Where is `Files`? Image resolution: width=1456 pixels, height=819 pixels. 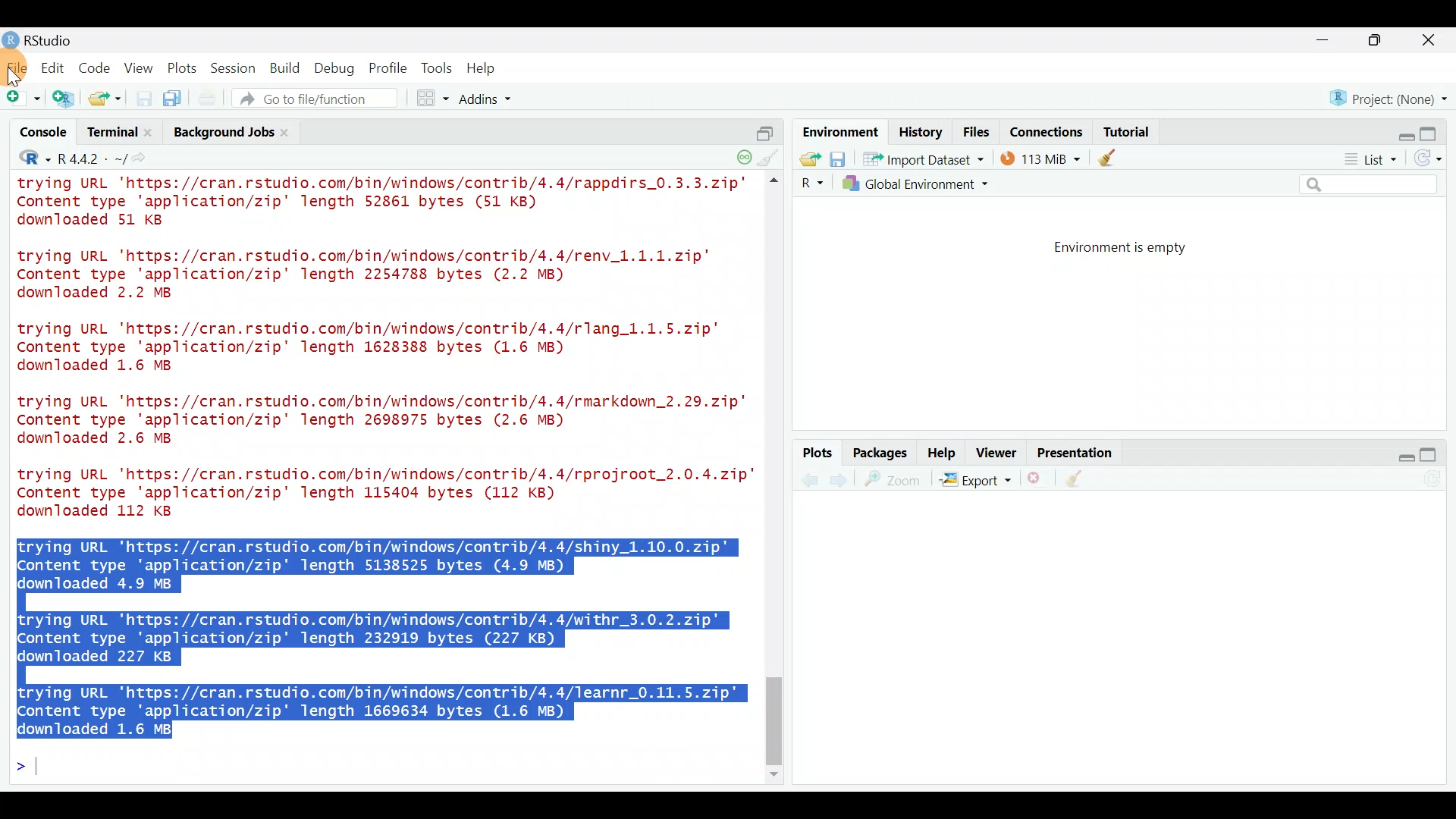 Files is located at coordinates (977, 132).